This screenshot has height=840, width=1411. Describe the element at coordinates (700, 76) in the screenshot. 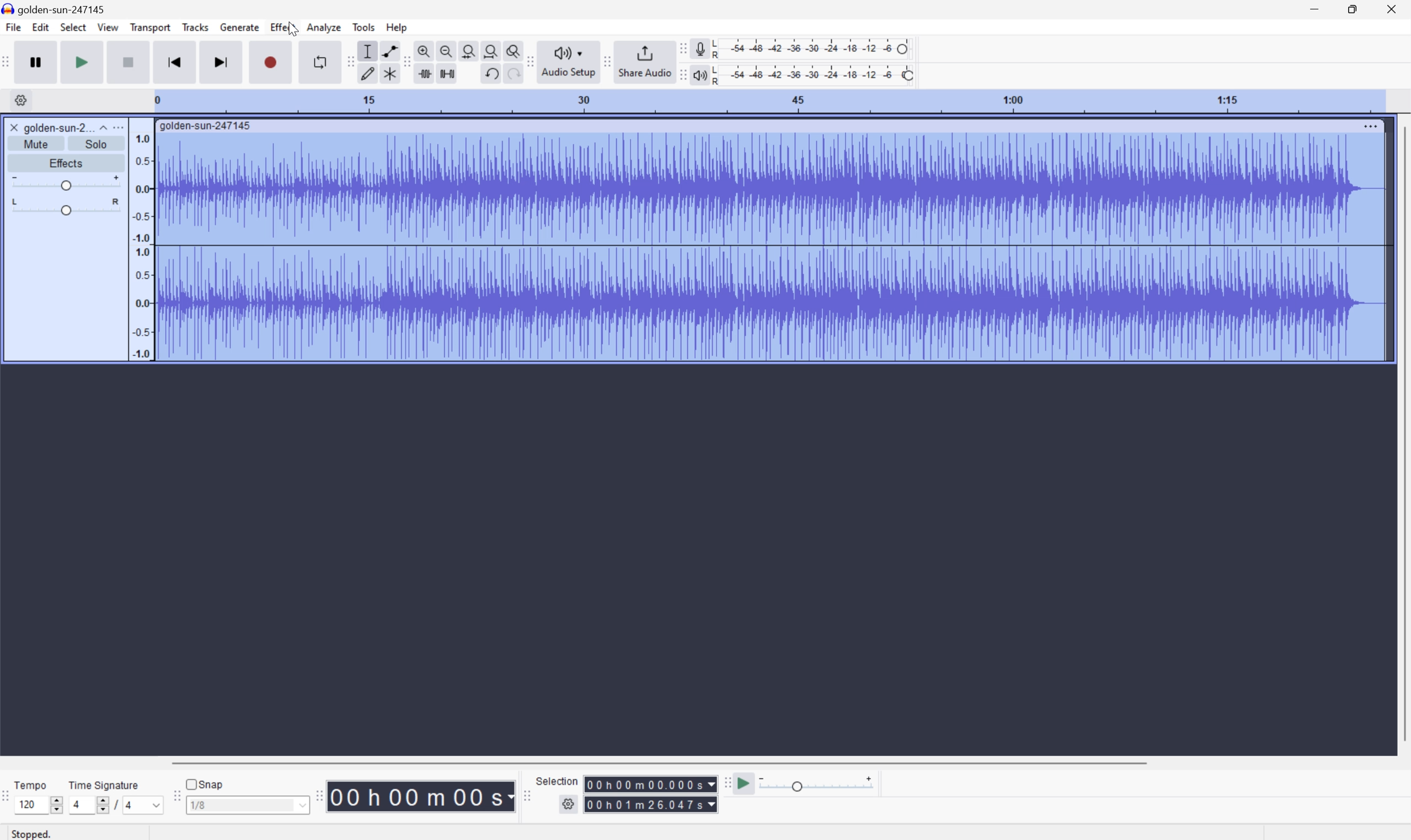

I see `Playback meter` at that location.